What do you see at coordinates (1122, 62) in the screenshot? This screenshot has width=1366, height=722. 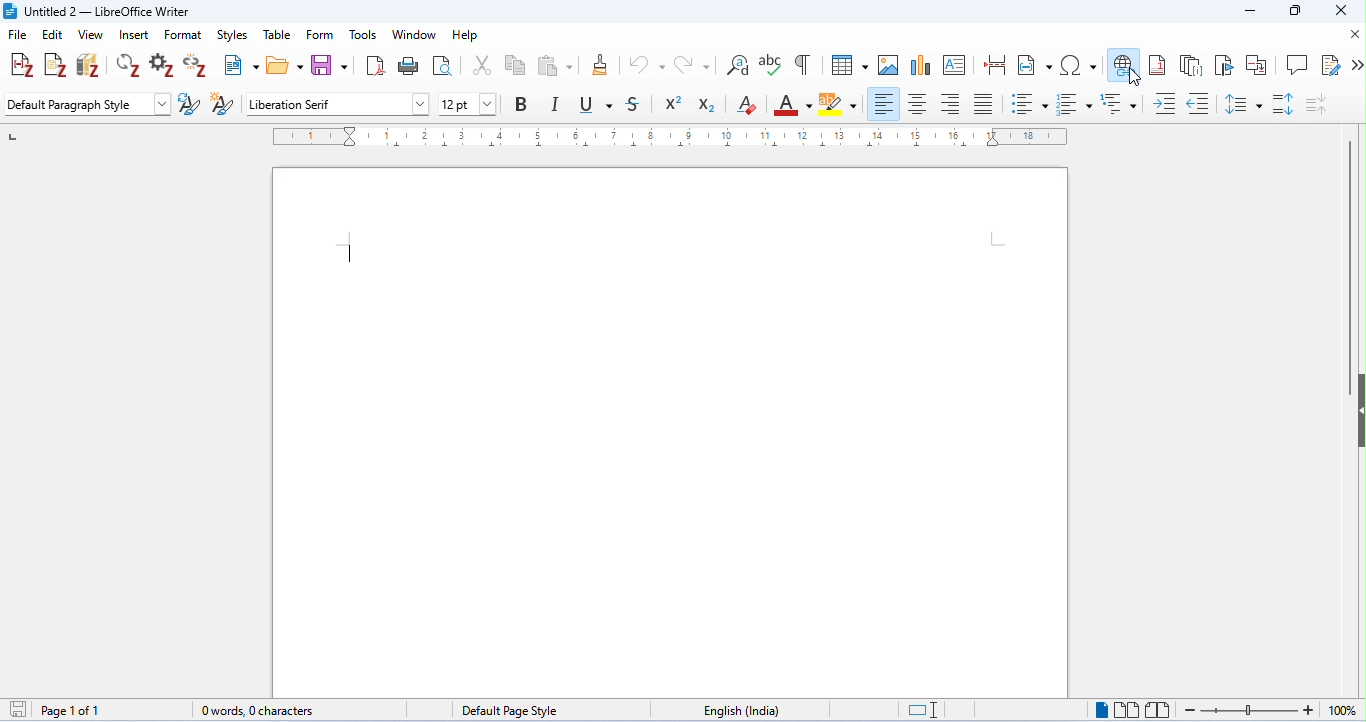 I see `insert hyperlink` at bounding box center [1122, 62].